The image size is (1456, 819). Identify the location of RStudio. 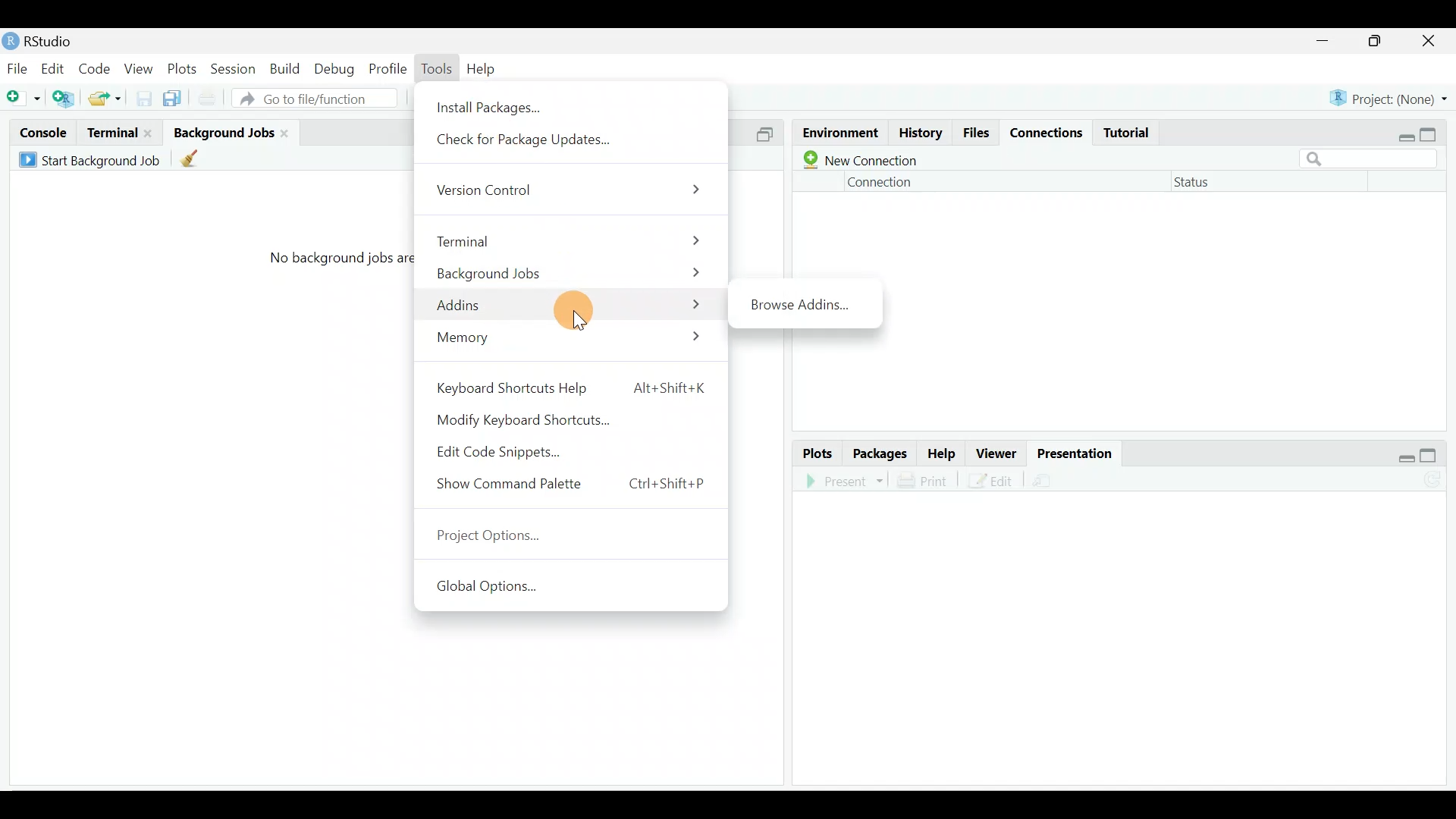
(46, 41).